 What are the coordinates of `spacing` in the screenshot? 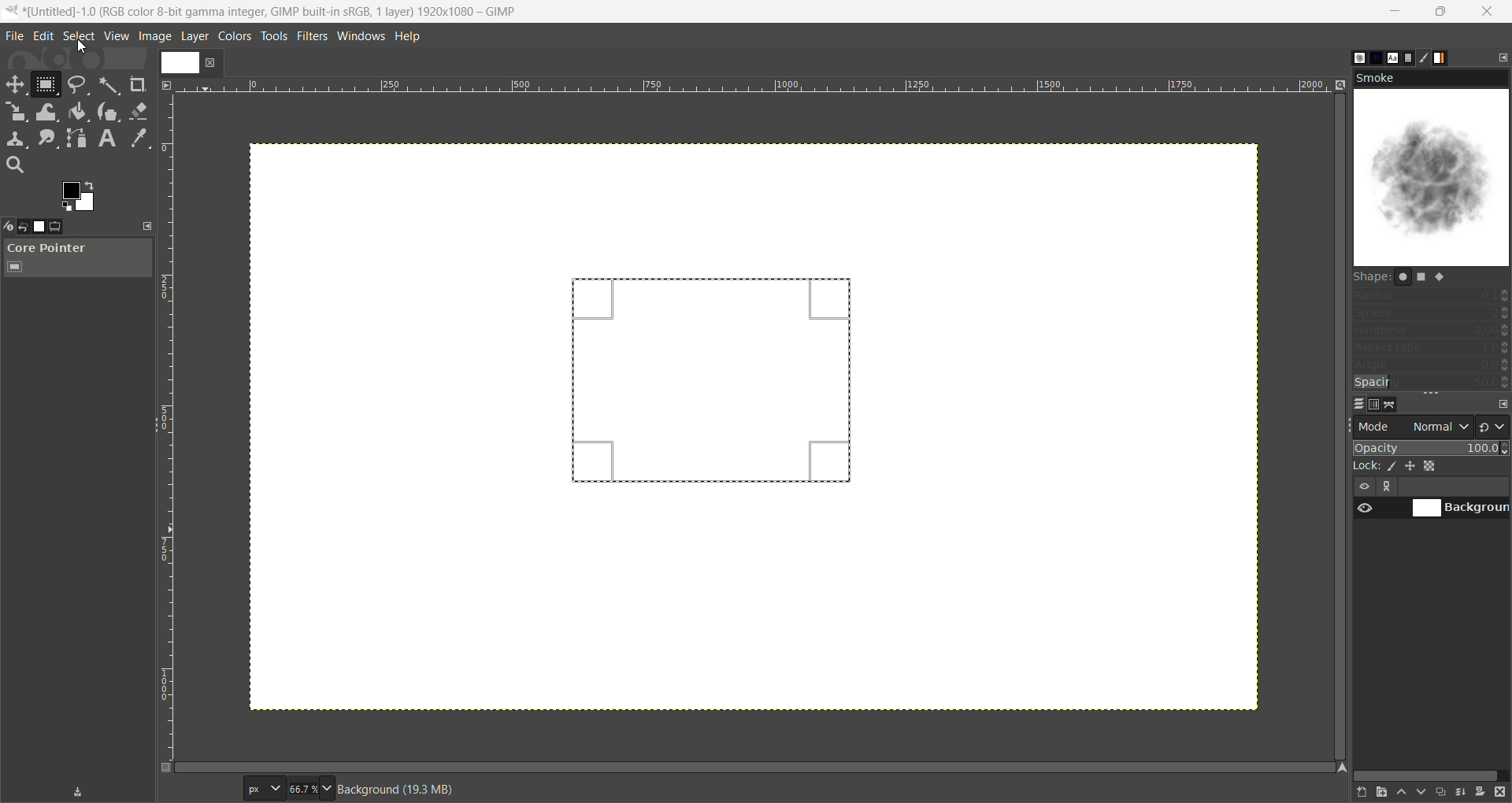 It's located at (1432, 384).